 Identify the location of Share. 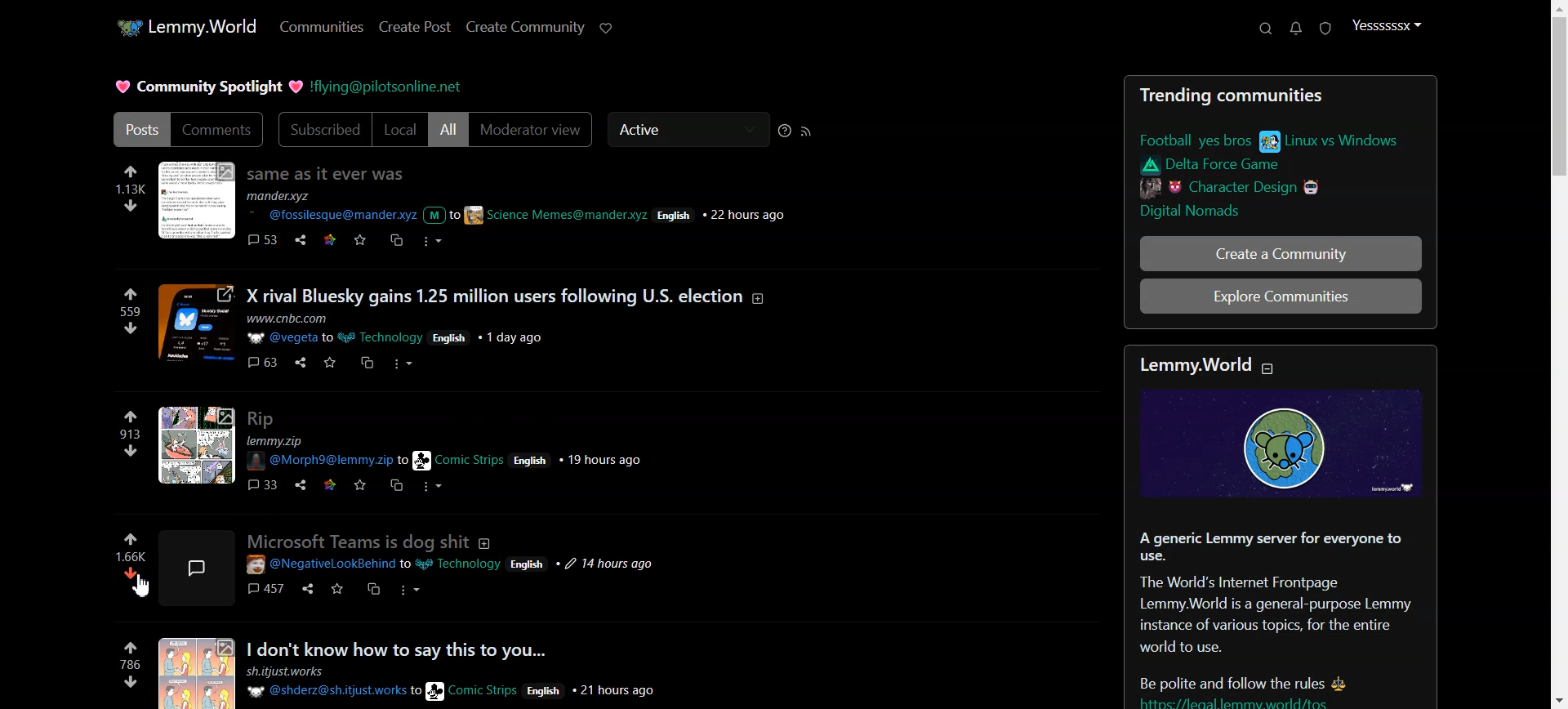
(307, 588).